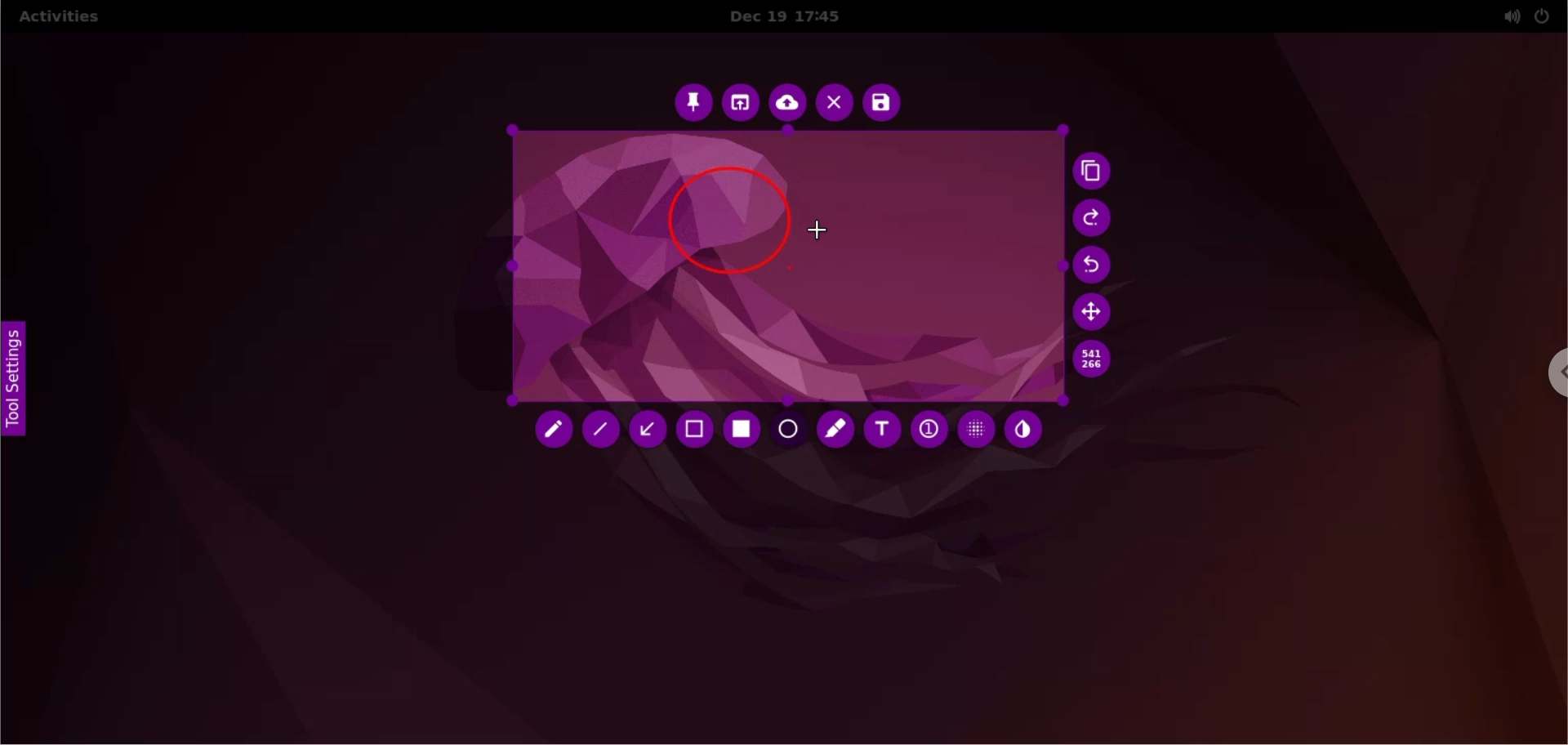  Describe the element at coordinates (1096, 173) in the screenshot. I see `copy to clipboard` at that location.